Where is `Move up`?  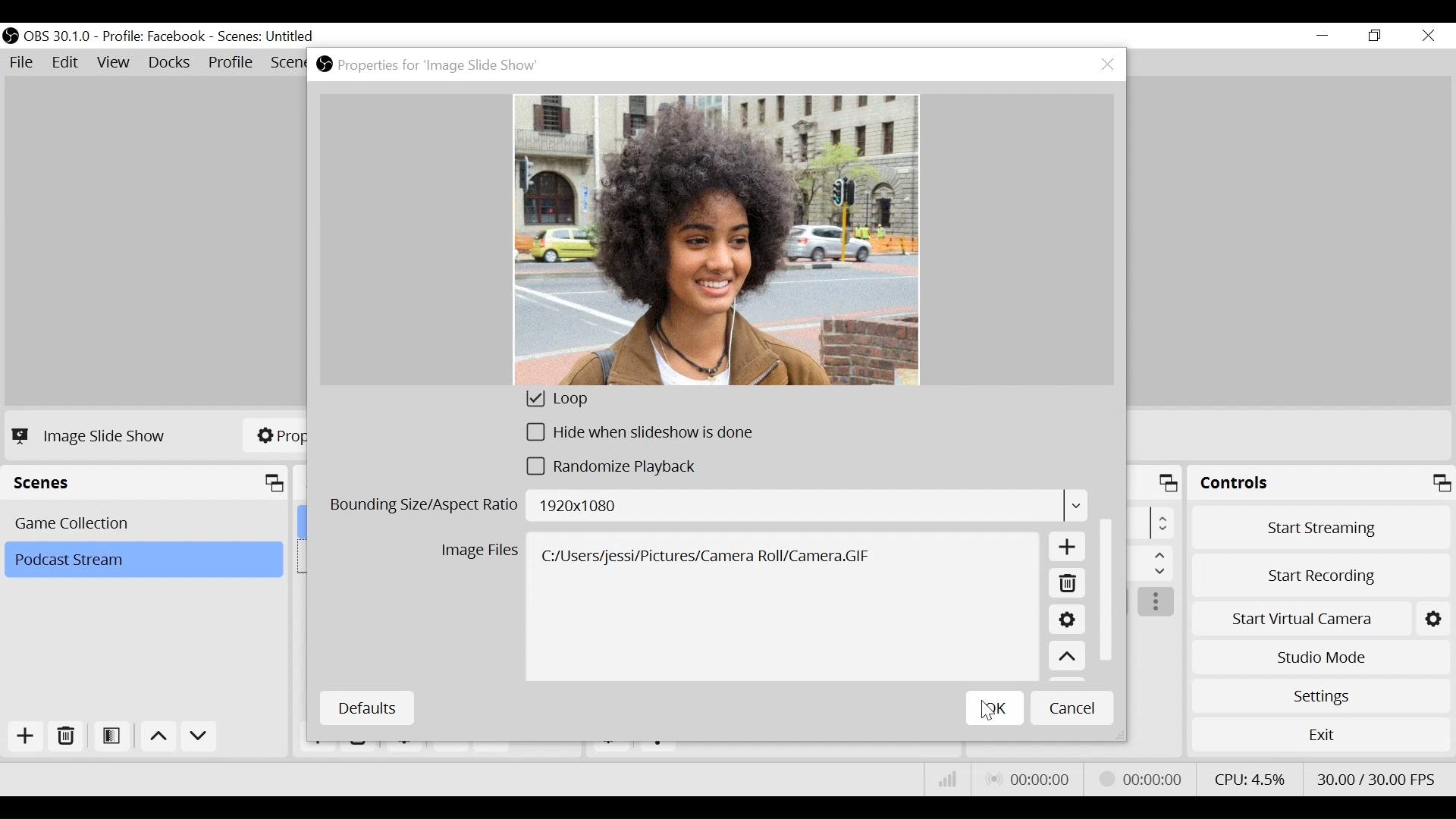 Move up is located at coordinates (1067, 657).